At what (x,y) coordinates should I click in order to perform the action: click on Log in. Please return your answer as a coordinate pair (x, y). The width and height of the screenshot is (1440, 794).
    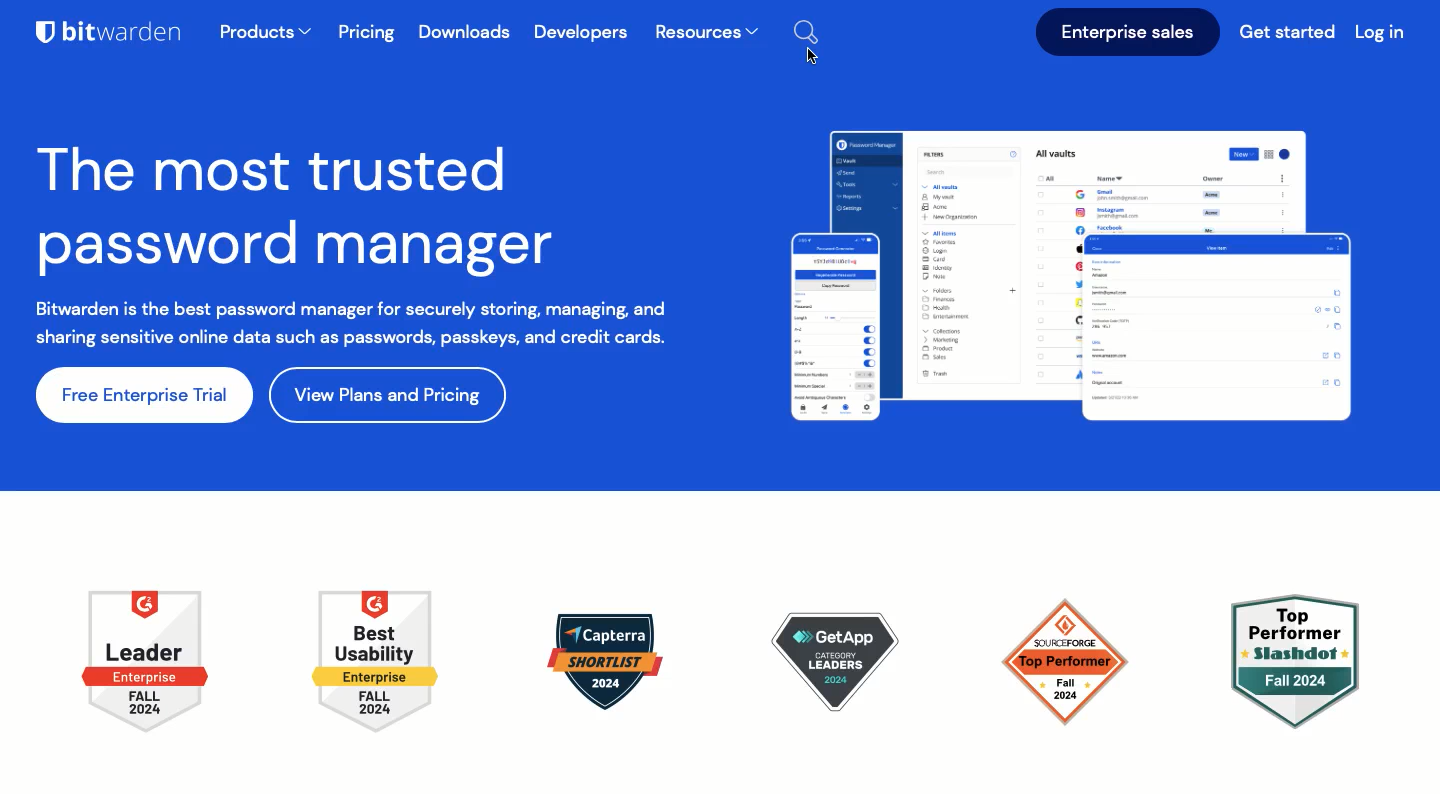
    Looking at the image, I should click on (1380, 31).